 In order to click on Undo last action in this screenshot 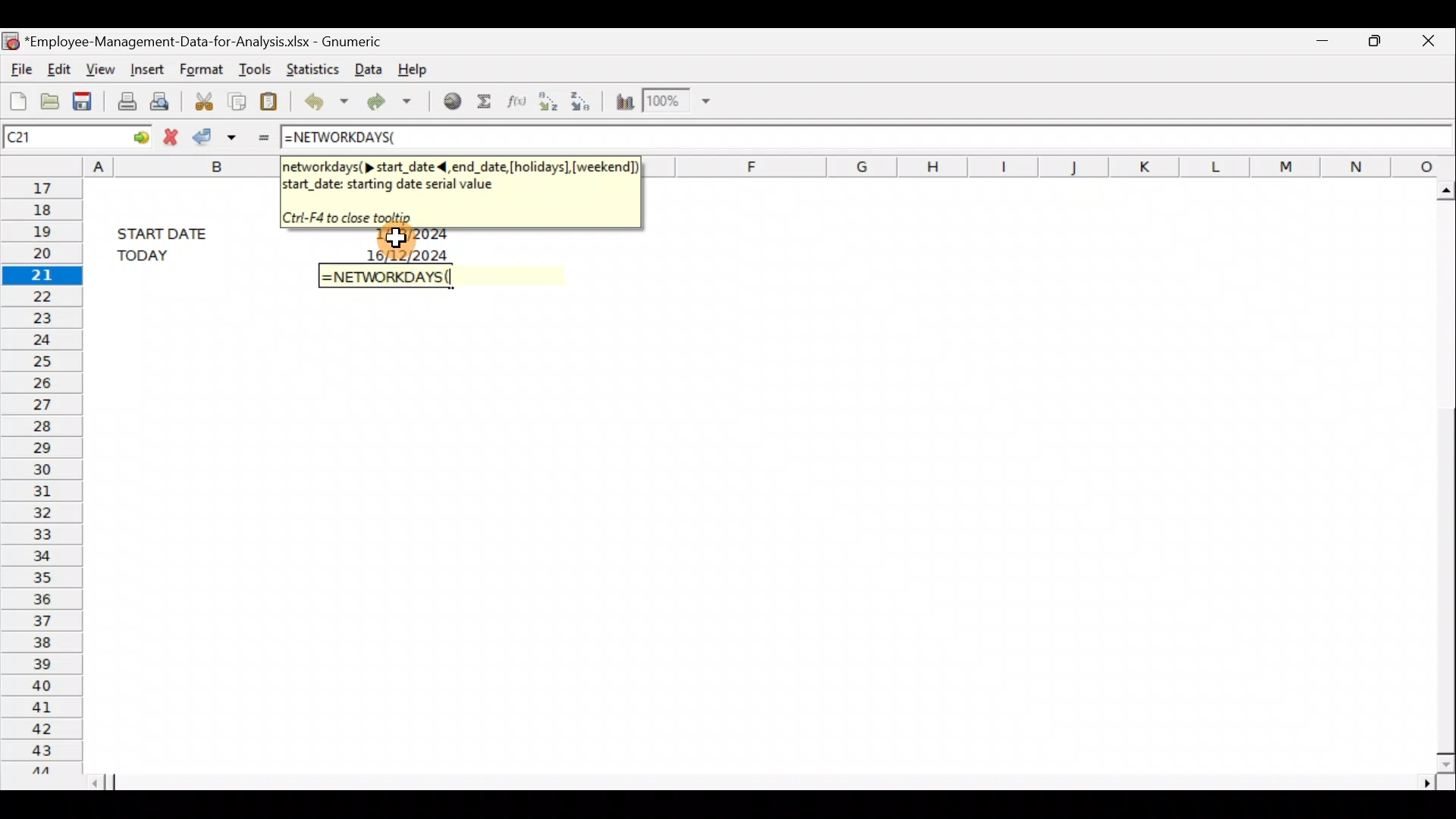, I will do `click(323, 99)`.